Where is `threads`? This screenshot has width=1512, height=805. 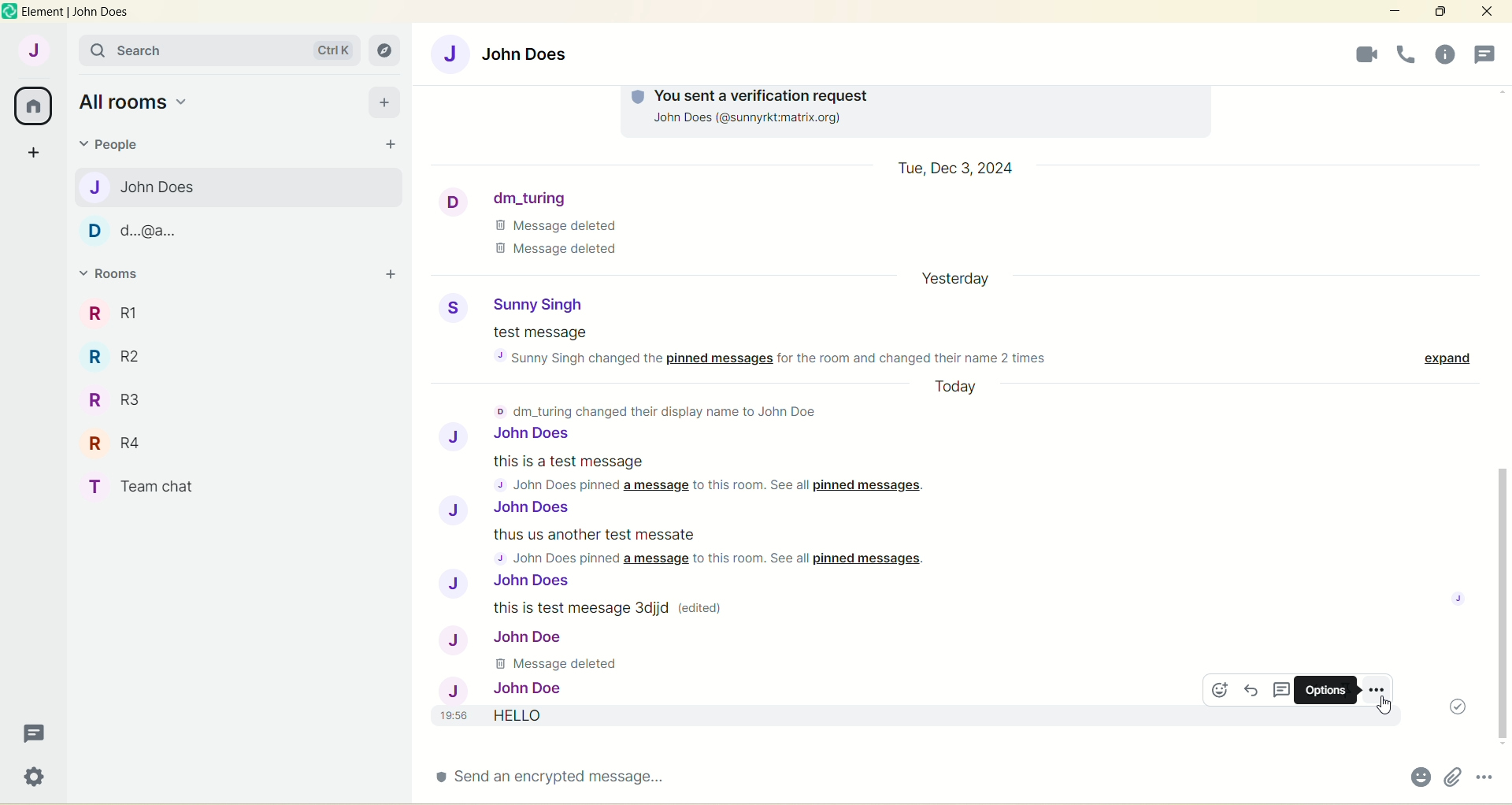
threads is located at coordinates (1443, 52).